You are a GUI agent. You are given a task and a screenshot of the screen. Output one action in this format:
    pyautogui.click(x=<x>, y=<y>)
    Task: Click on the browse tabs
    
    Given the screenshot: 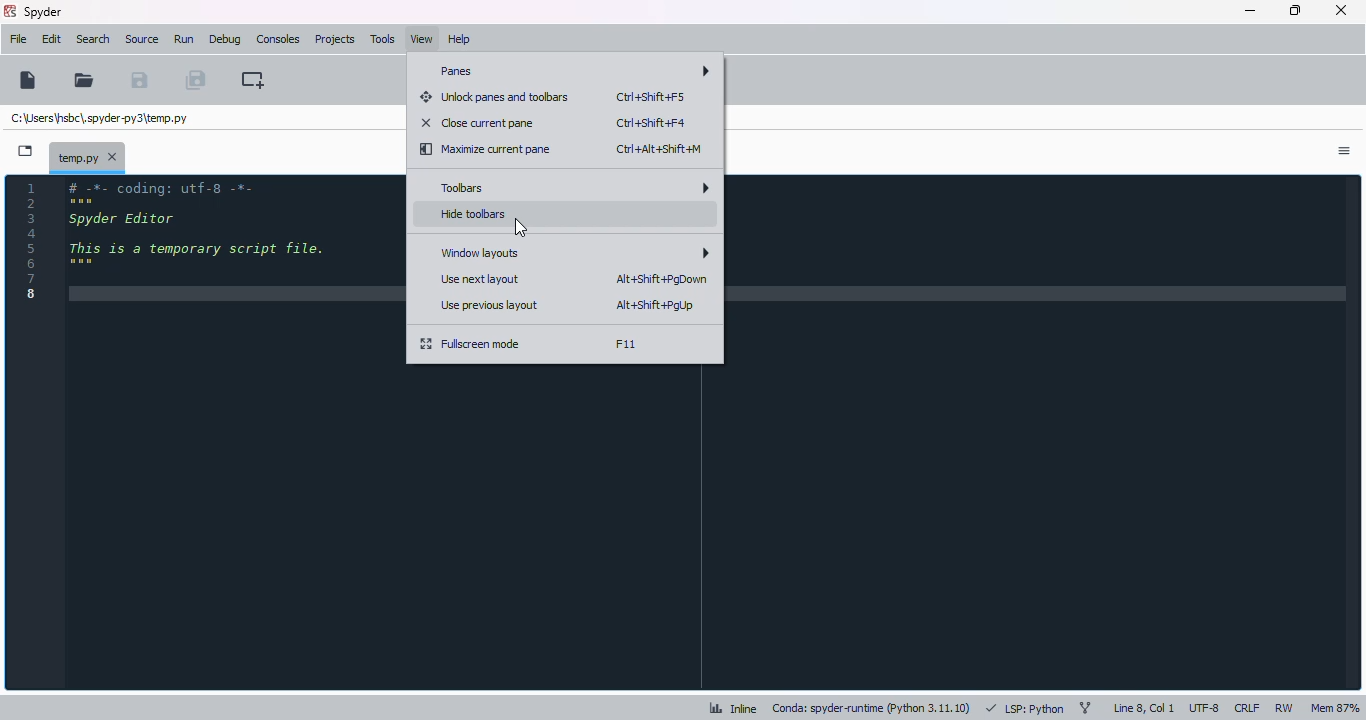 What is the action you would take?
    pyautogui.click(x=25, y=151)
    